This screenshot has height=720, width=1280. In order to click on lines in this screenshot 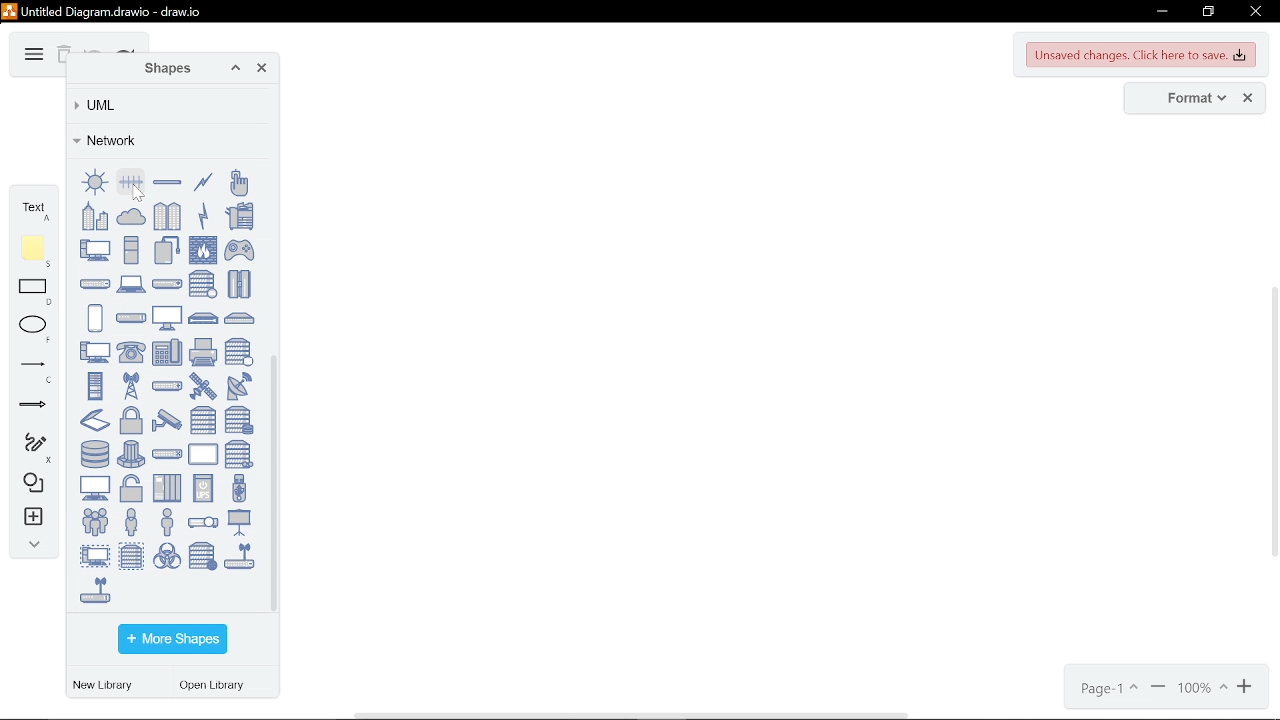, I will do `click(33, 371)`.